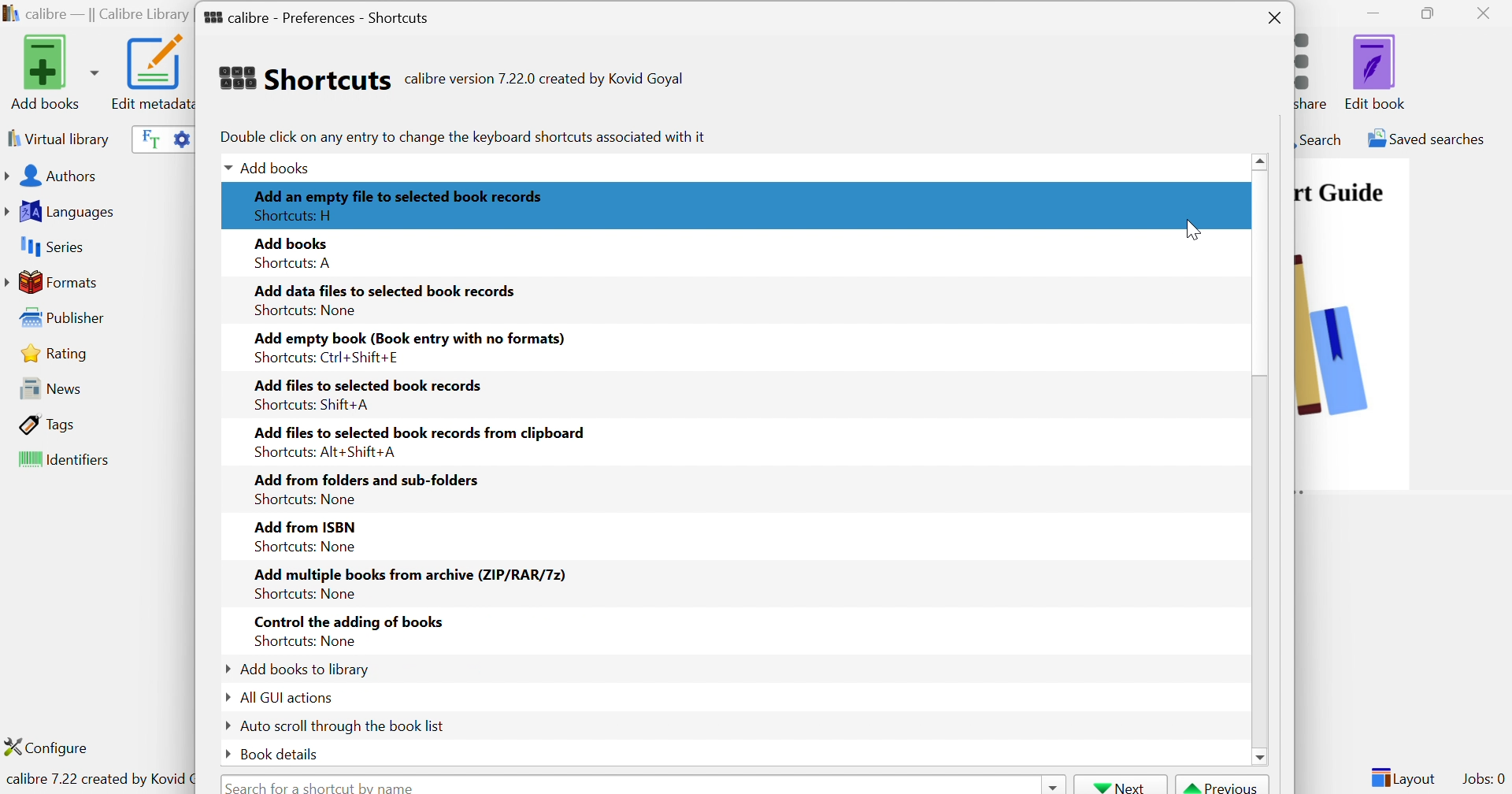 The width and height of the screenshot is (1512, 794). Describe the element at coordinates (409, 572) in the screenshot. I see `Add multiple books from archive (ZIP/RAR/7z)` at that location.